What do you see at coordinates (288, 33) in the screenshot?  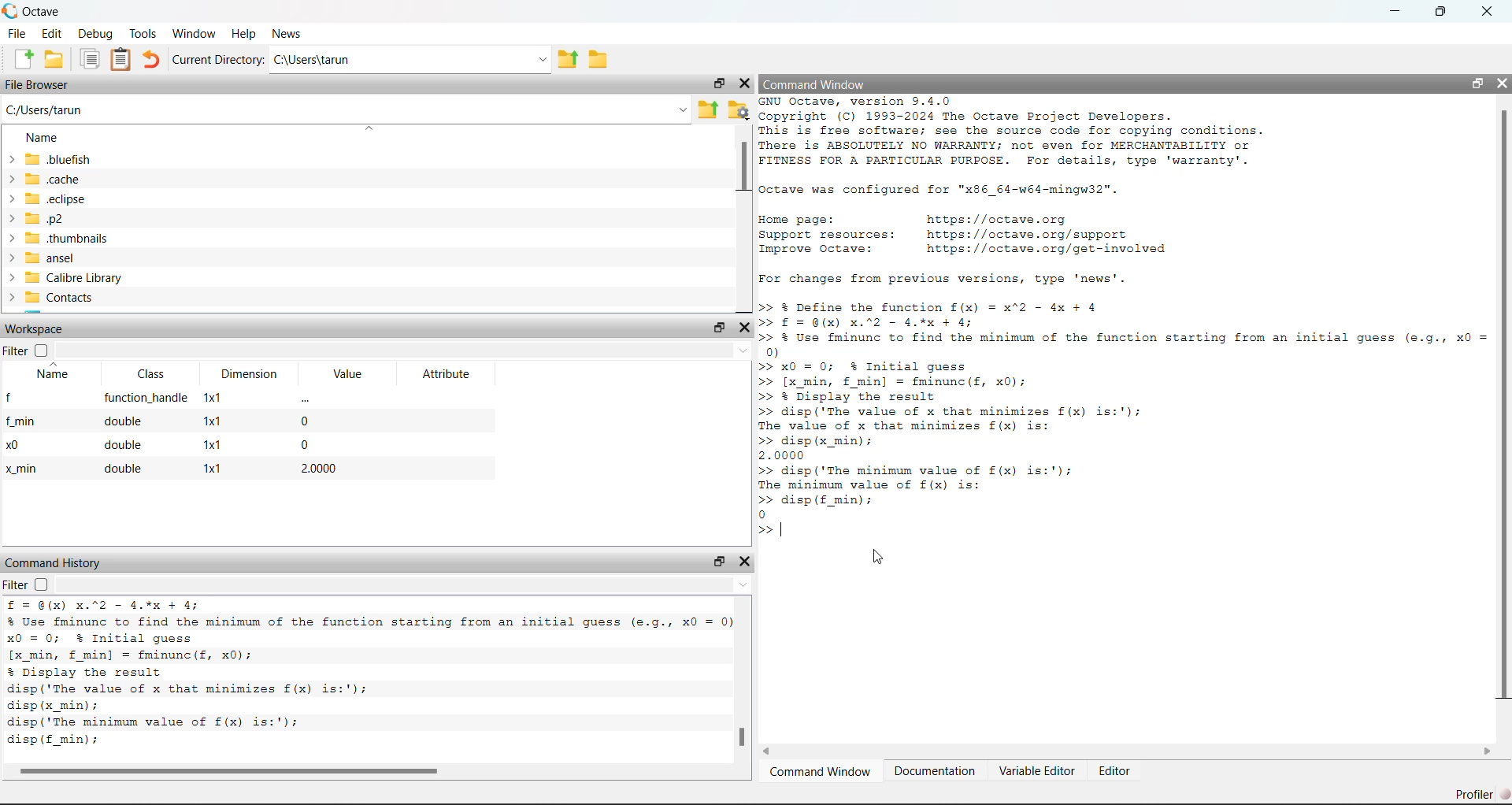 I see `News` at bounding box center [288, 33].